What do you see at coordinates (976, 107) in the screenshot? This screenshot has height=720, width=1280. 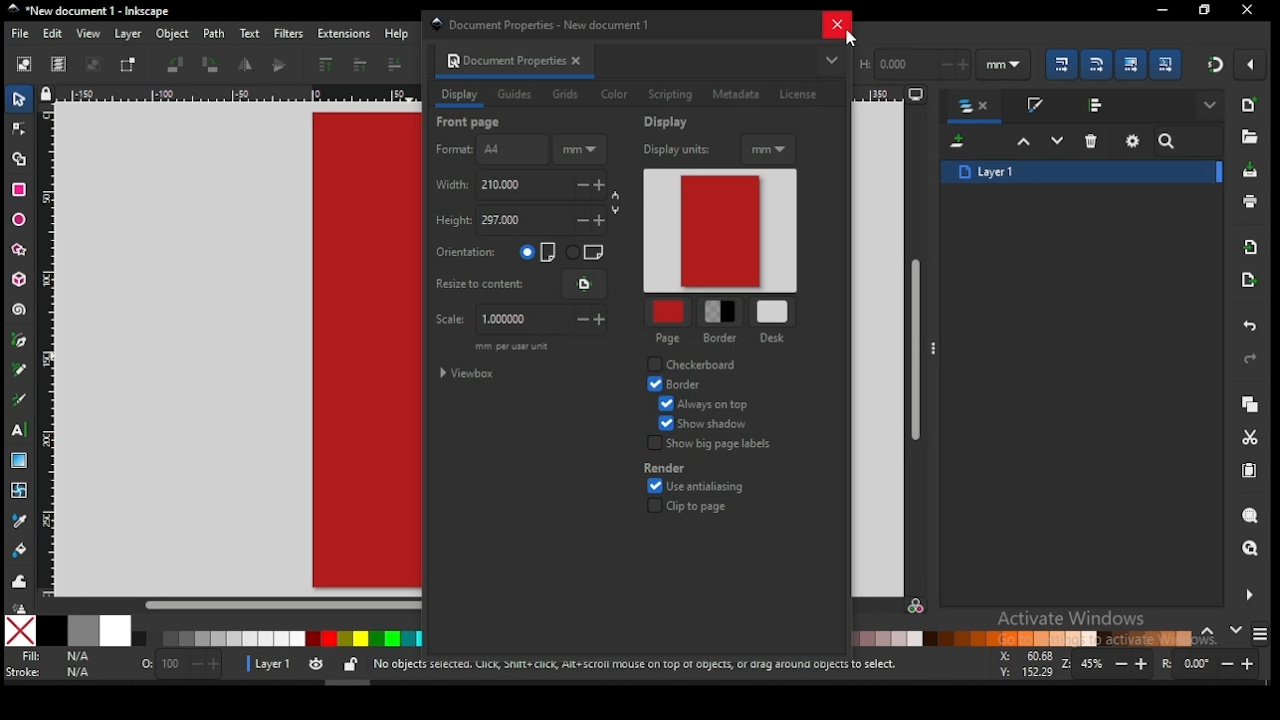 I see `layers and objects` at bounding box center [976, 107].